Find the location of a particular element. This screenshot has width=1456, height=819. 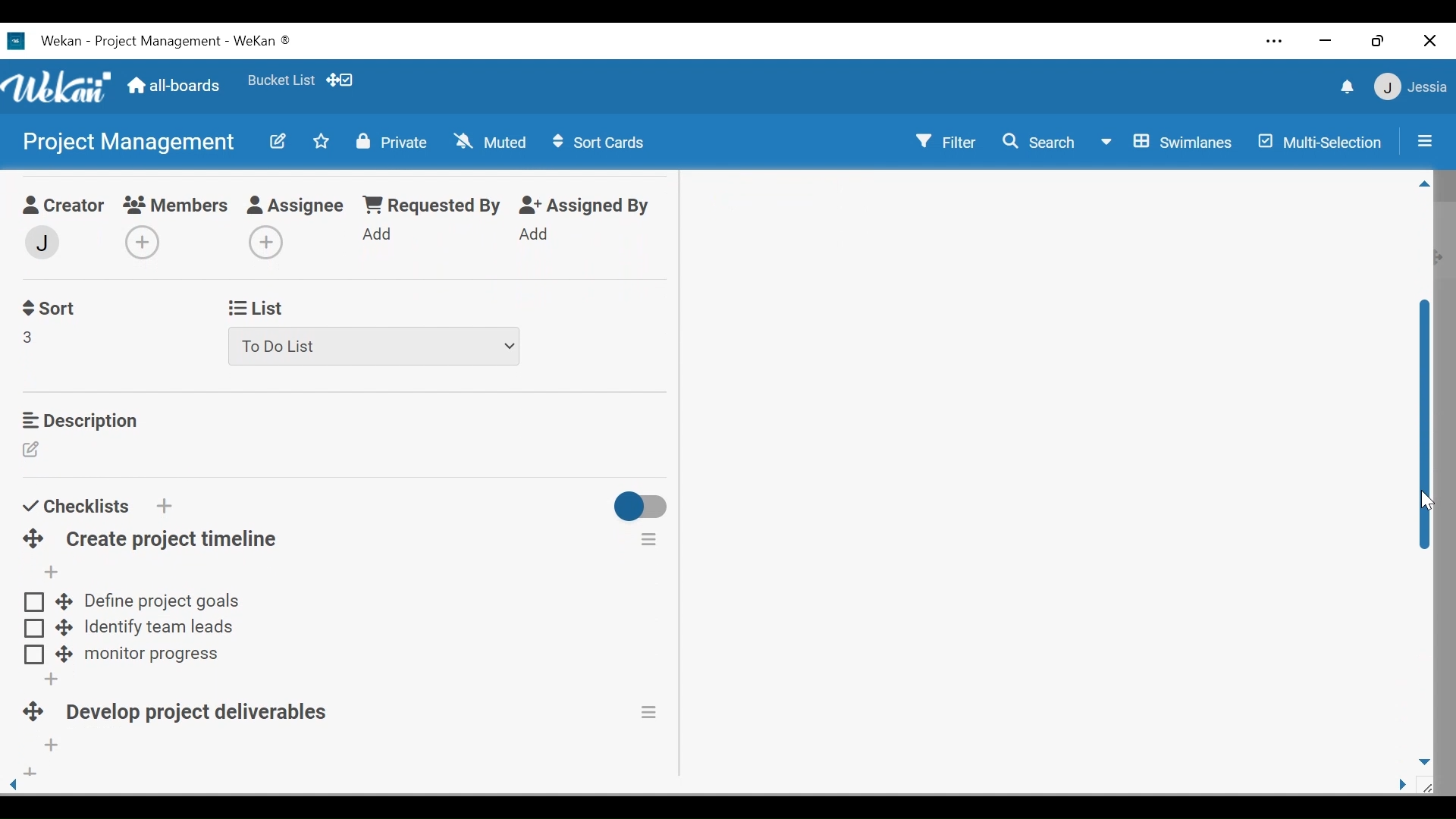

Muted is located at coordinates (489, 141).